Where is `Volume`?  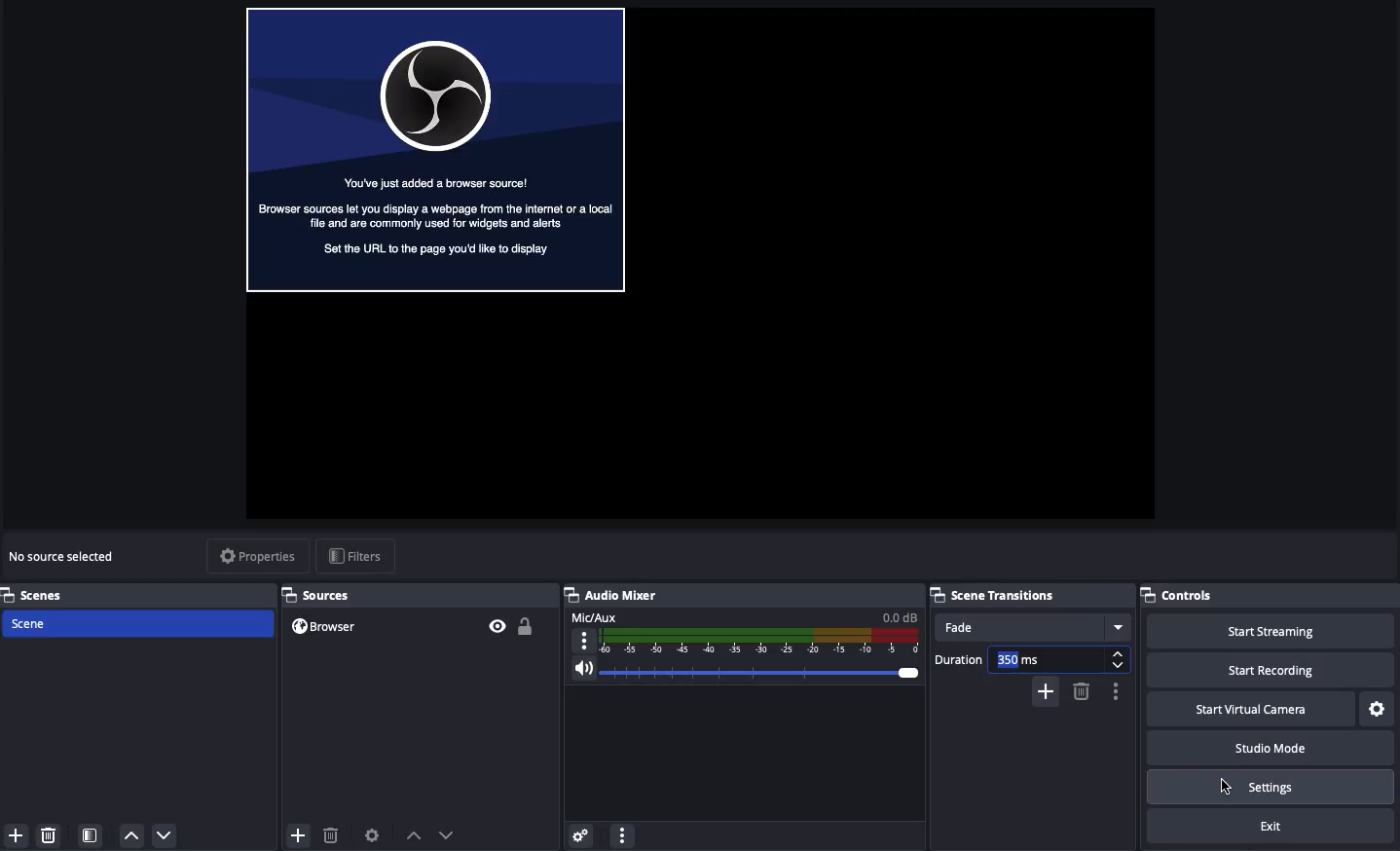 Volume is located at coordinates (743, 669).